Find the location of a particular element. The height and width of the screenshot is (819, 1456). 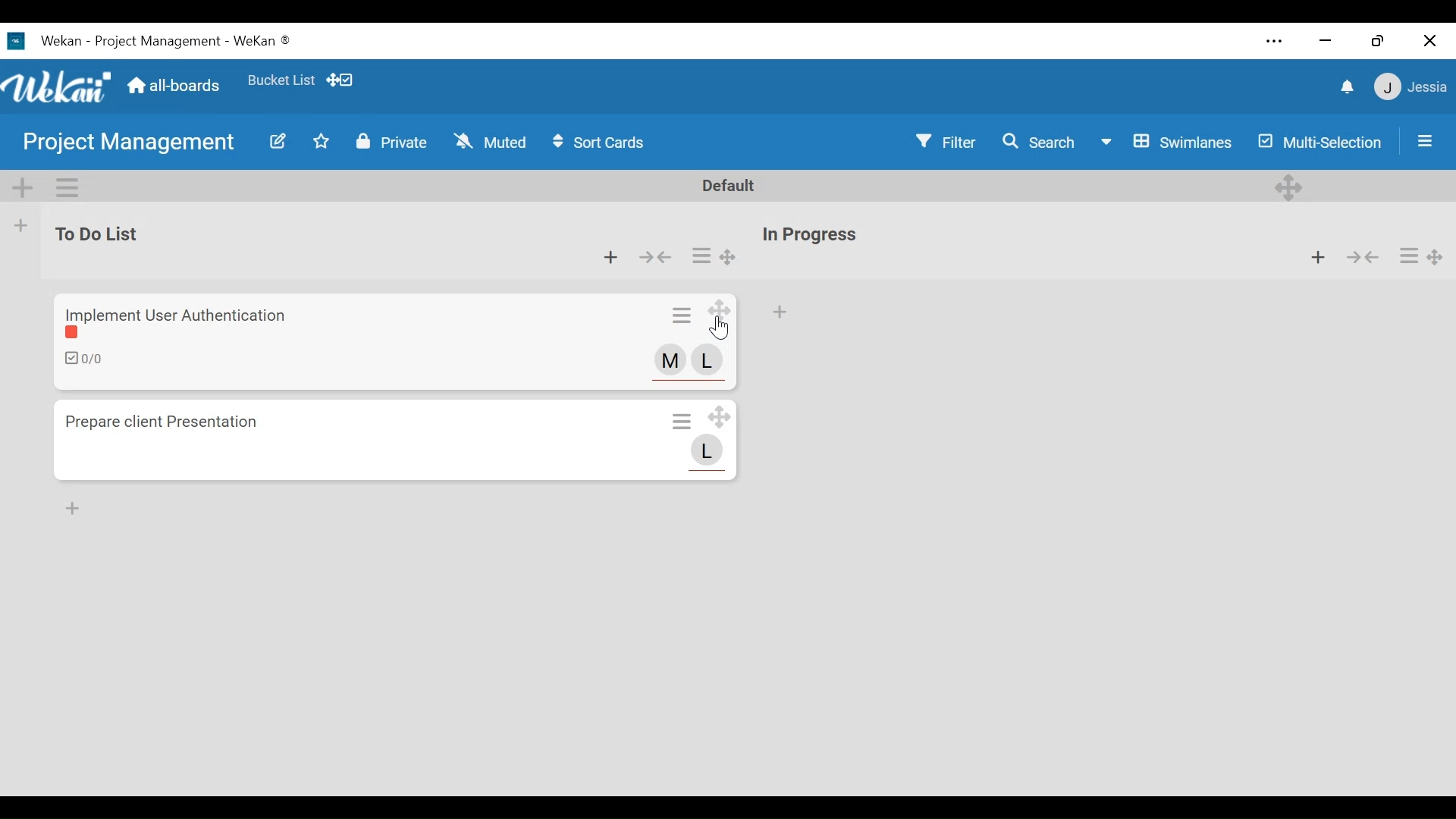

Wekan logo is located at coordinates (59, 89).